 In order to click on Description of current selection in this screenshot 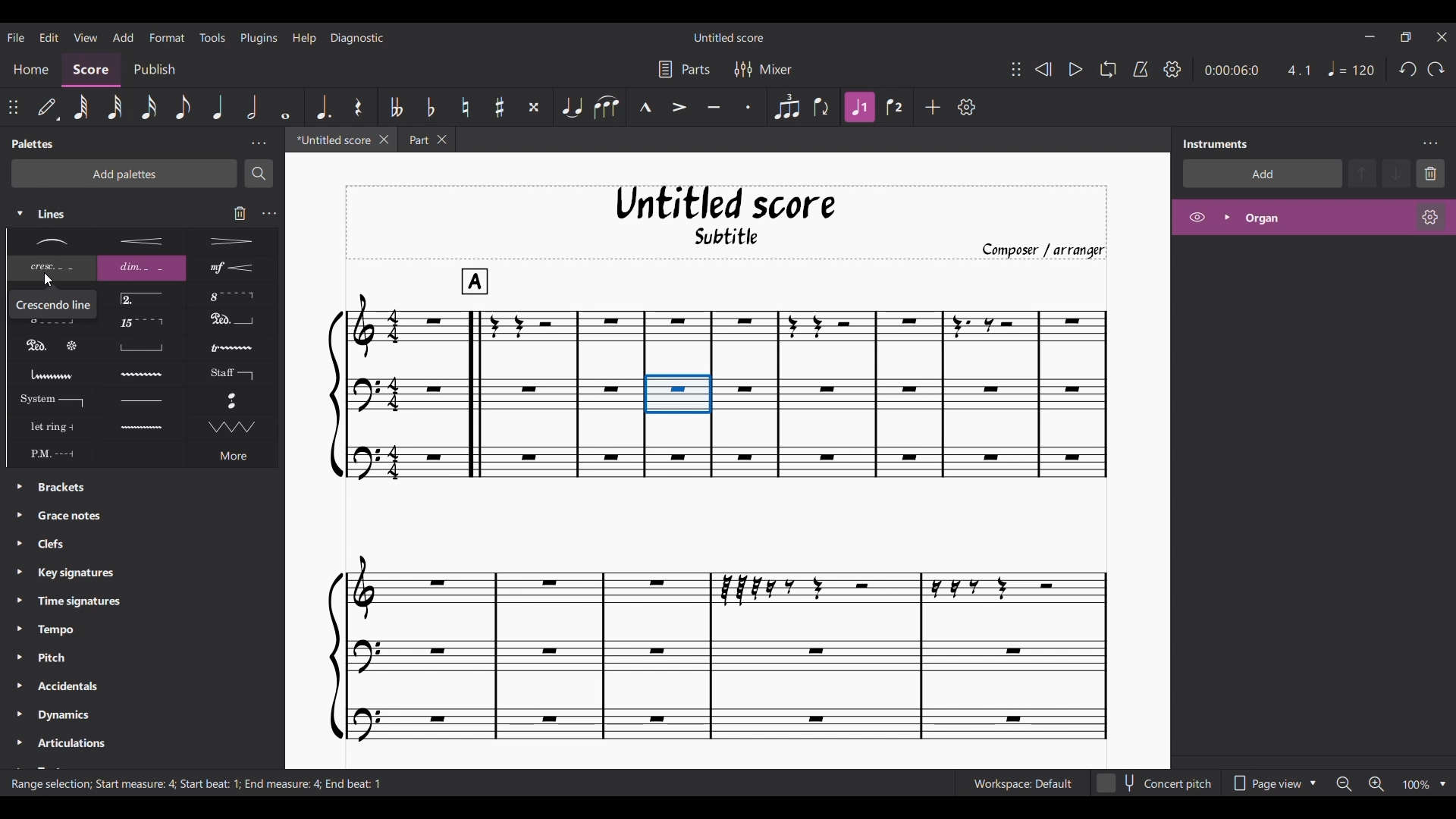, I will do `click(196, 784)`.